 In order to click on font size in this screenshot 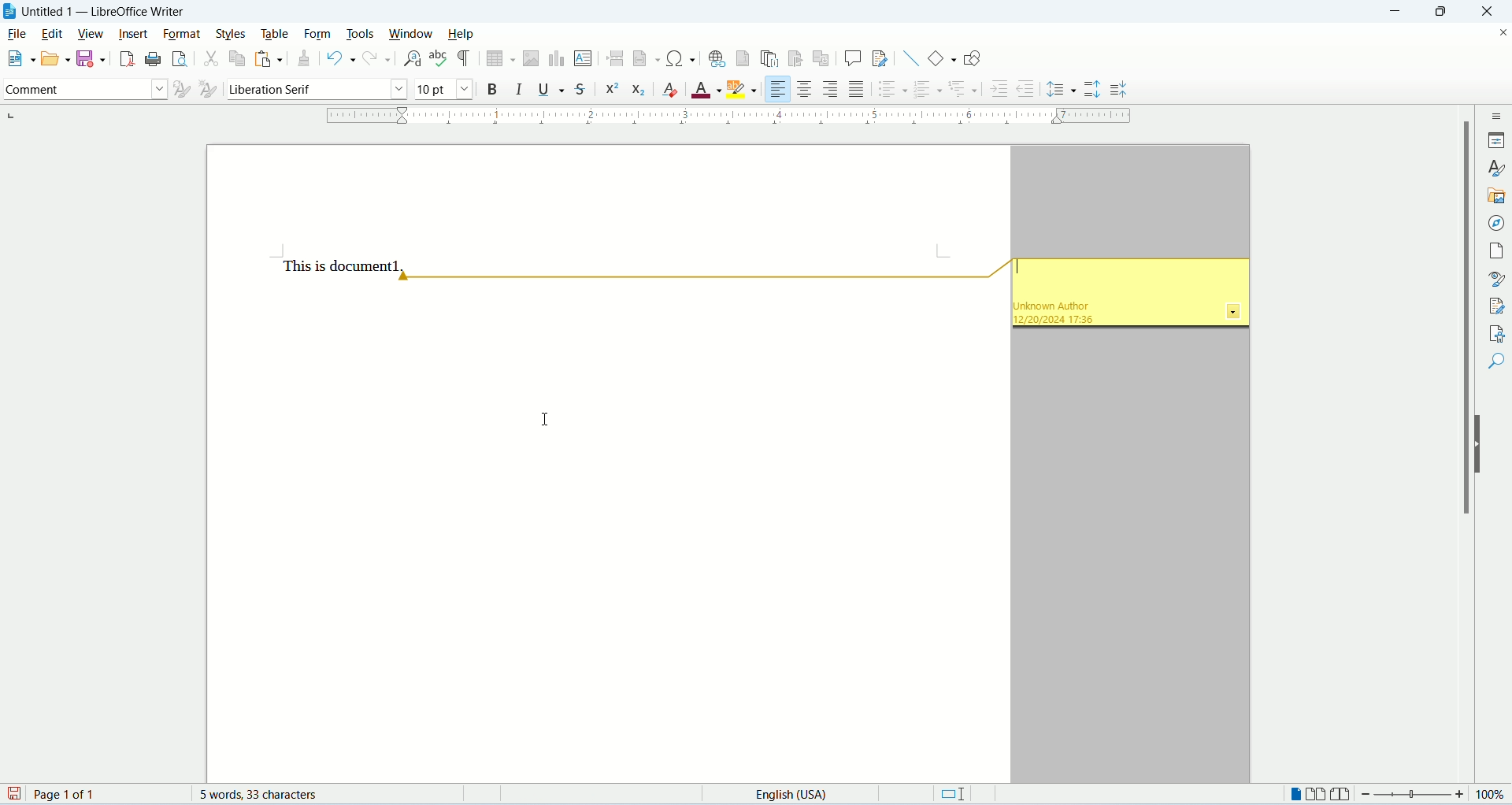, I will do `click(442, 88)`.